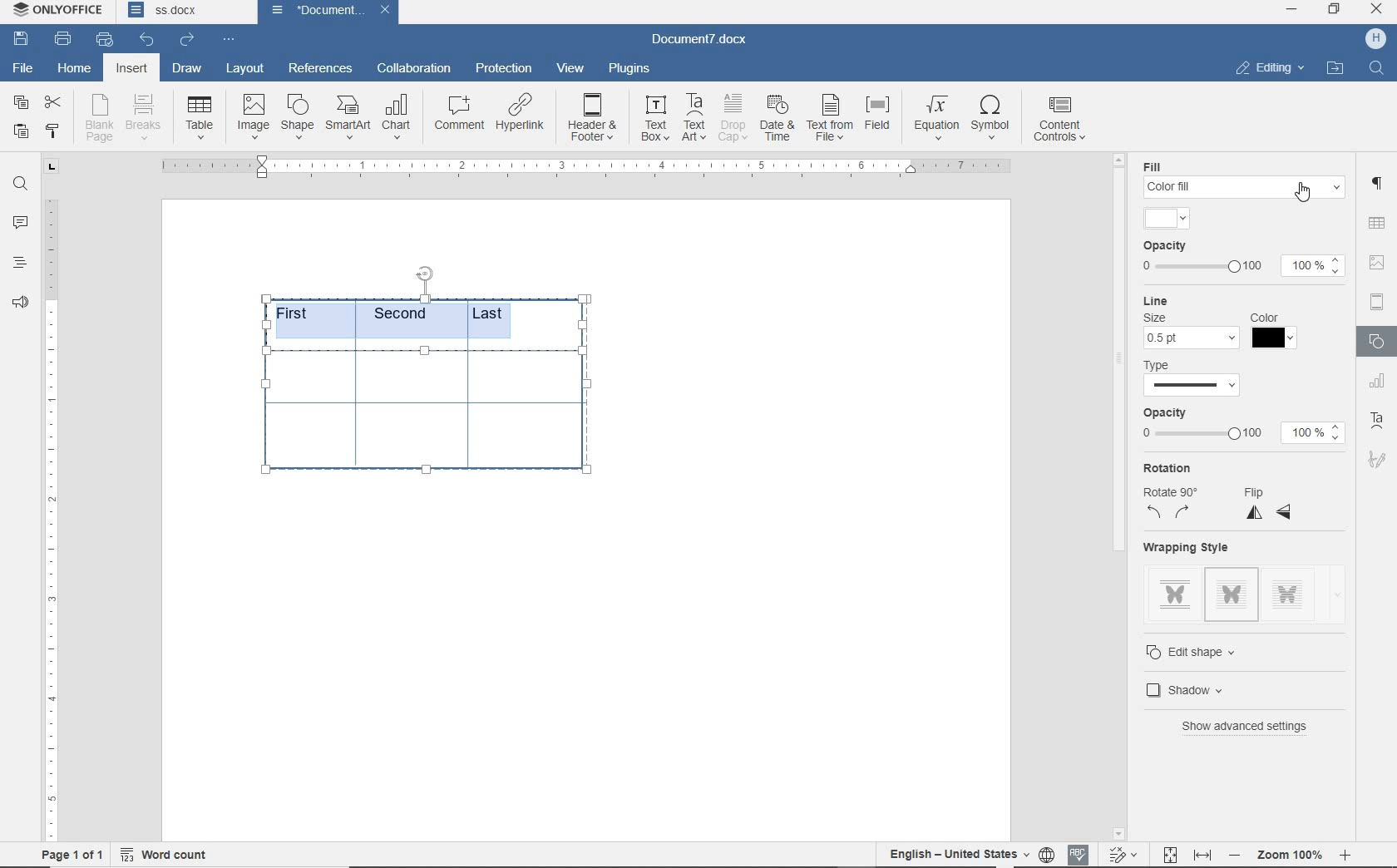 The image size is (1397, 868). Describe the element at coordinates (1376, 223) in the screenshot. I see `TABLE` at that location.